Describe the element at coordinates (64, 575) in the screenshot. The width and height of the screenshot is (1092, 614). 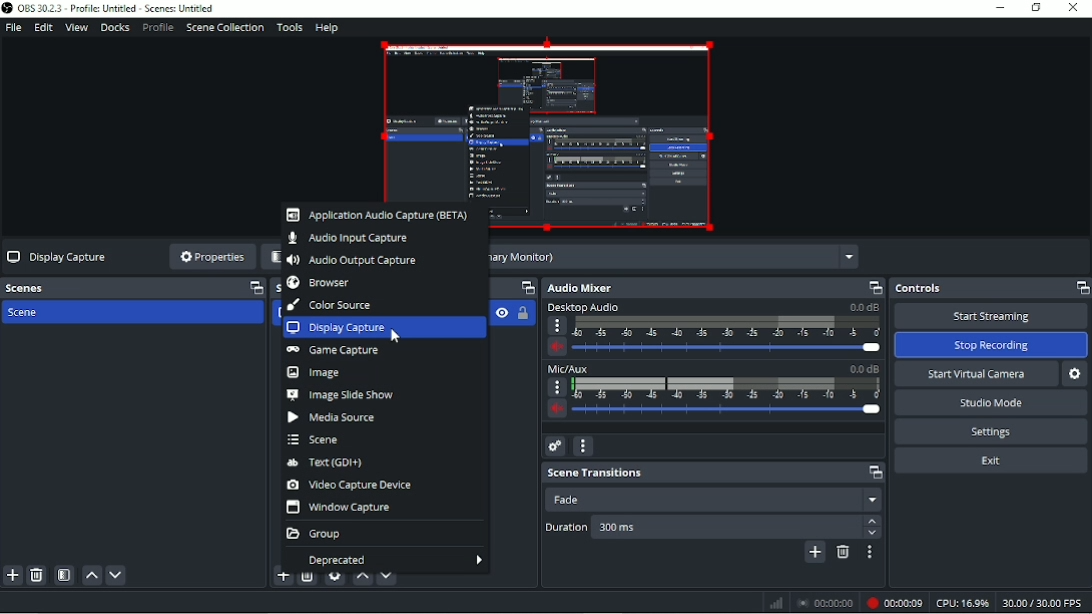
I see `Open scene filters` at that location.